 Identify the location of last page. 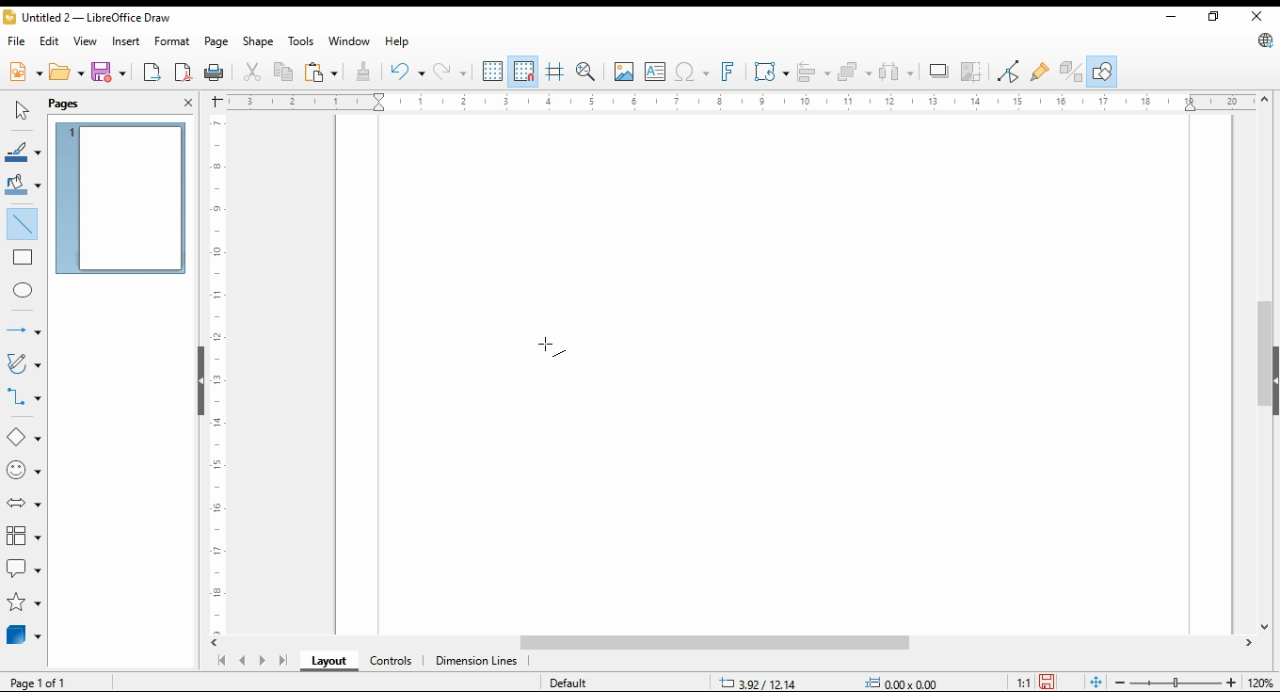
(282, 662).